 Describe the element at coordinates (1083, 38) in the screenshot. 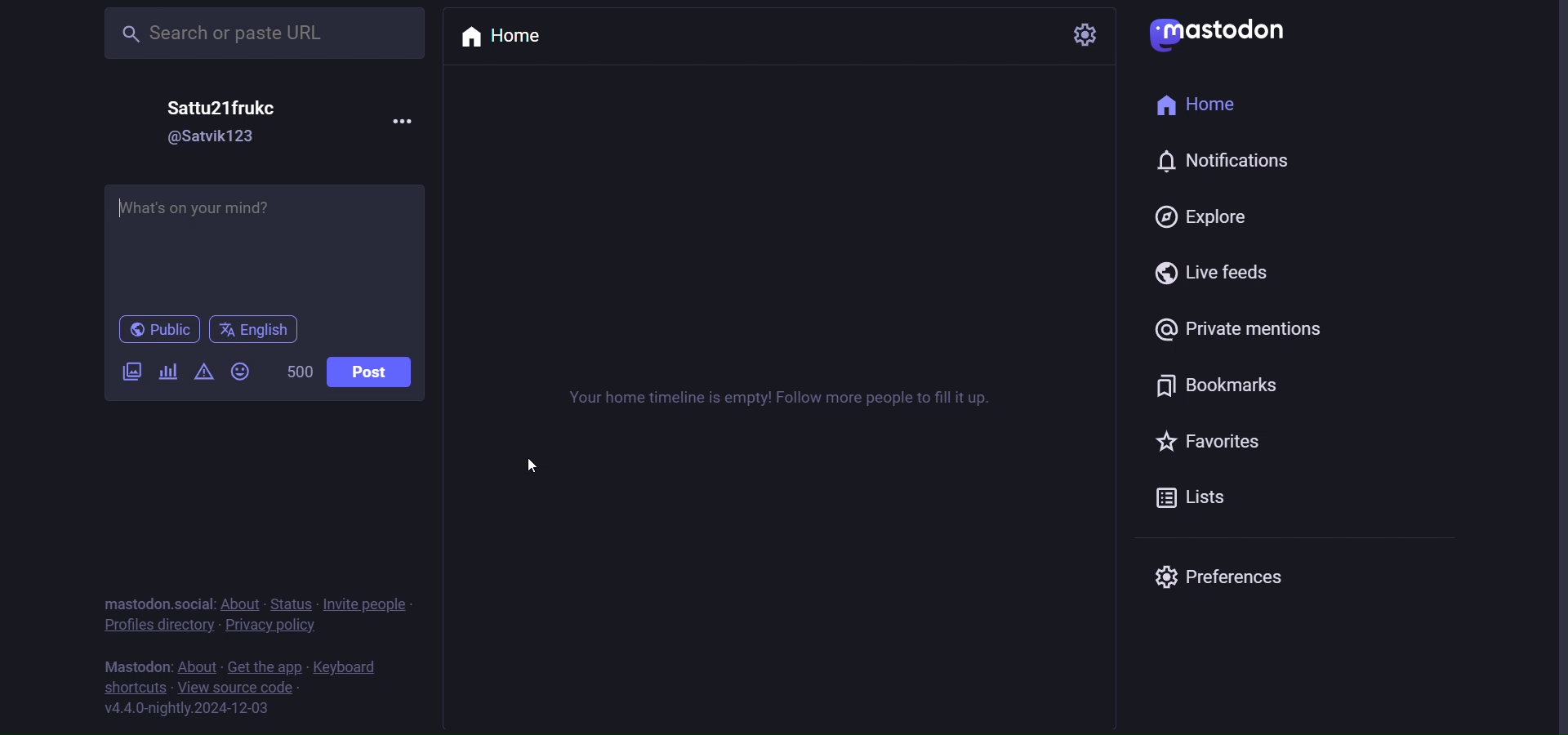

I see `setting` at that location.